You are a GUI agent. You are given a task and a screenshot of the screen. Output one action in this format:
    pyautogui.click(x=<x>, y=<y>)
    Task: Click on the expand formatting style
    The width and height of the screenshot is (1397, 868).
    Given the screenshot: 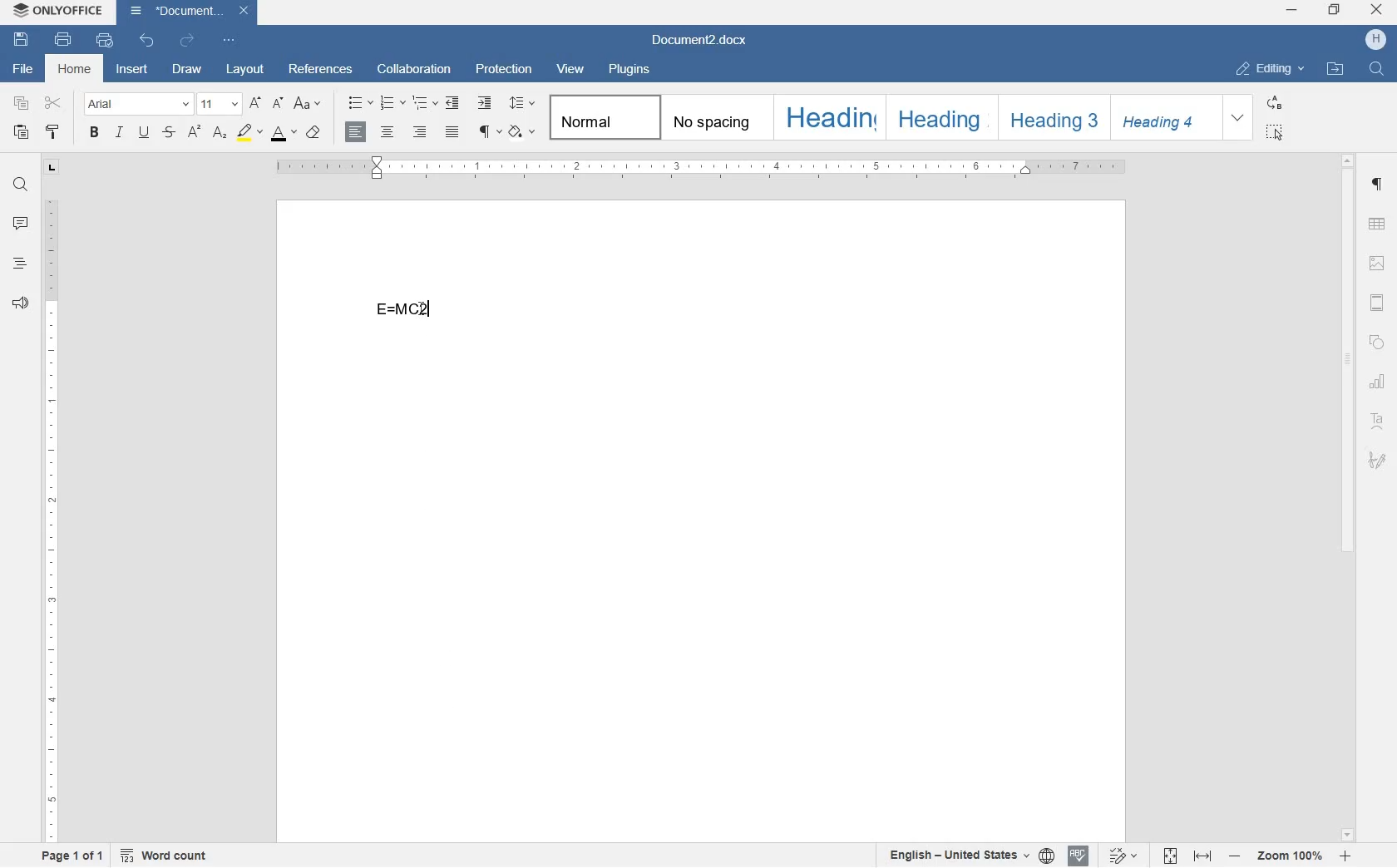 What is the action you would take?
    pyautogui.click(x=1238, y=117)
    